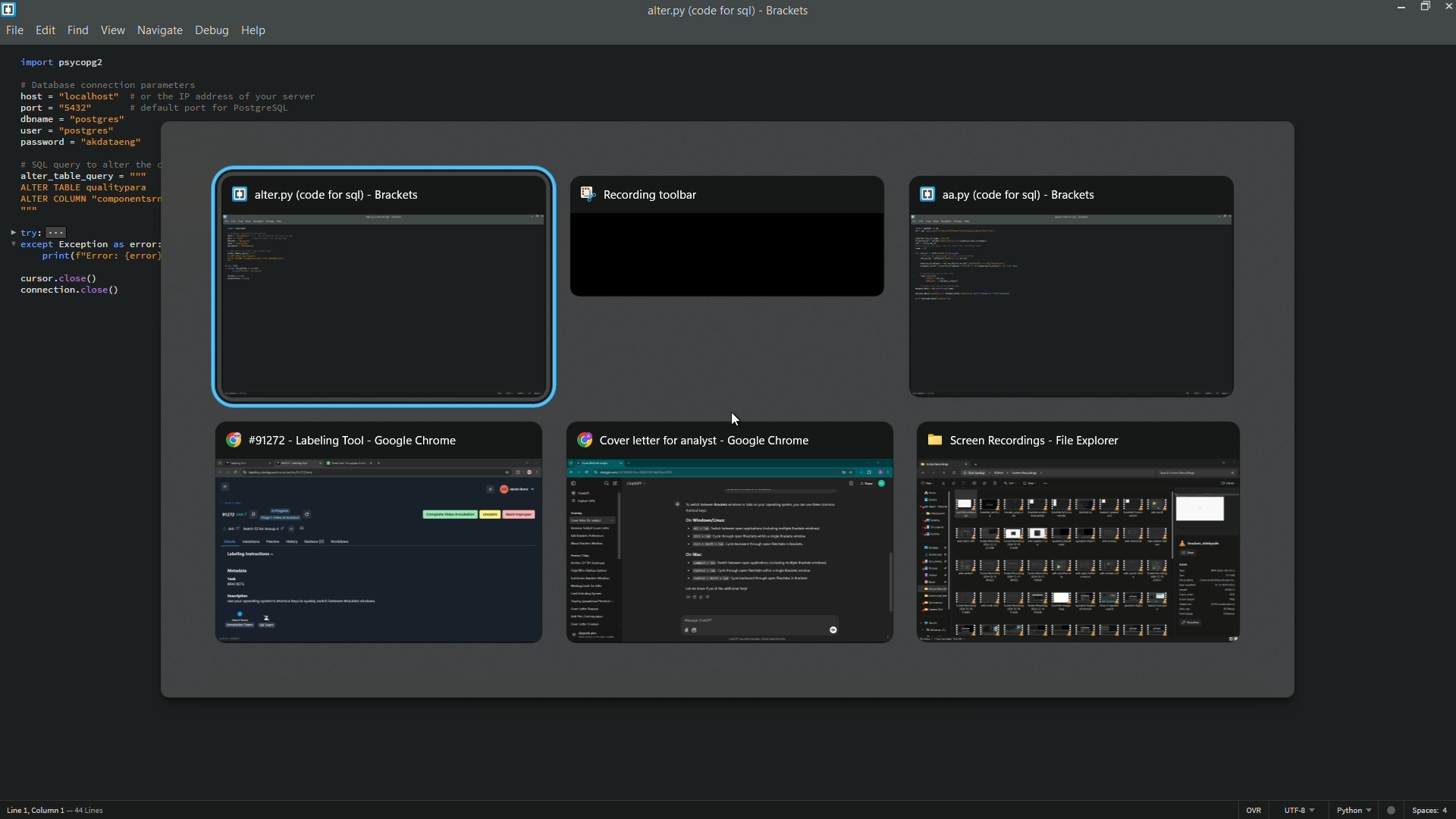 Image resolution: width=1456 pixels, height=819 pixels. Describe the element at coordinates (1349, 811) in the screenshot. I see `python` at that location.